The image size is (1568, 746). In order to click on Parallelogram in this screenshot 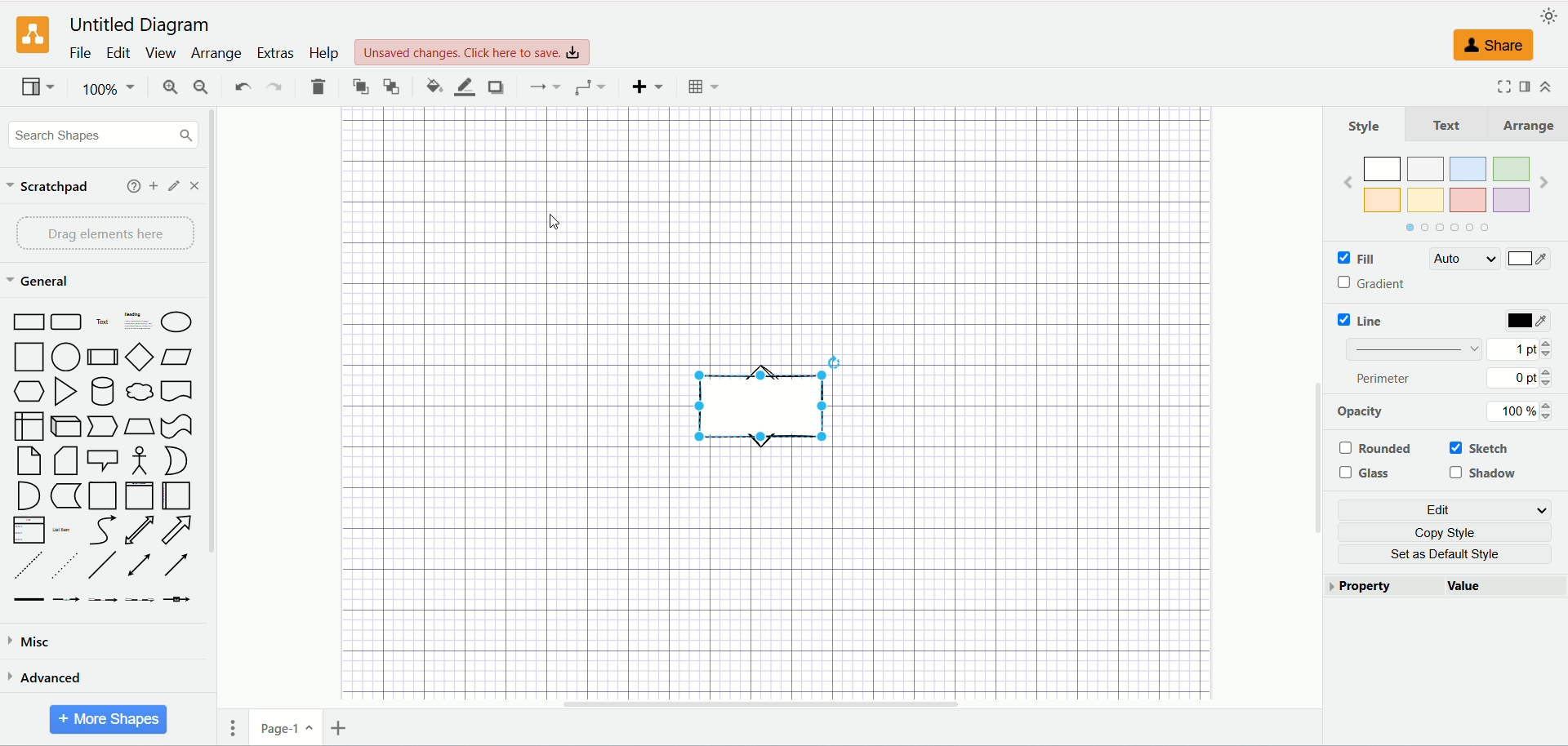, I will do `click(176, 356)`.